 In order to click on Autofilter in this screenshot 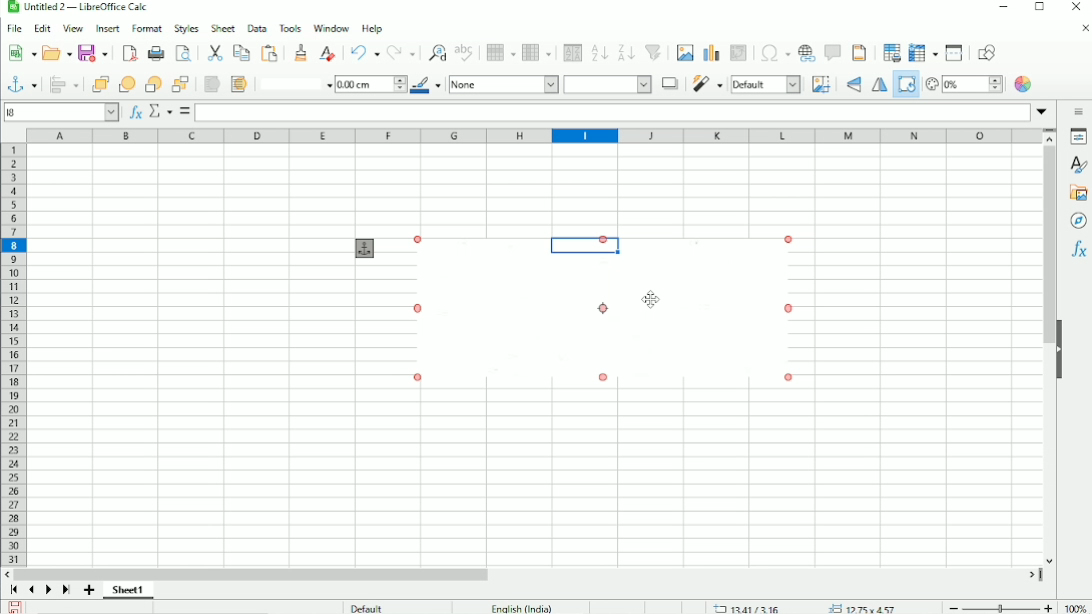, I will do `click(655, 53)`.